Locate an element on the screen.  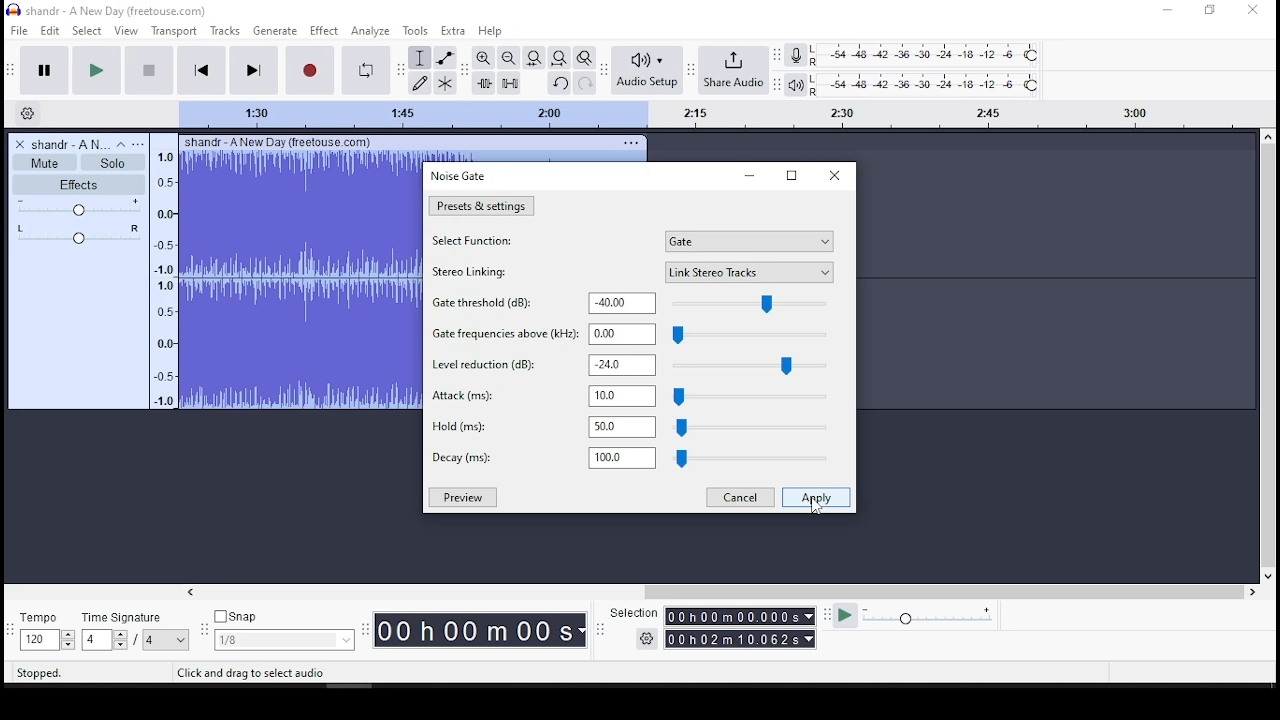
draw tool is located at coordinates (421, 83).